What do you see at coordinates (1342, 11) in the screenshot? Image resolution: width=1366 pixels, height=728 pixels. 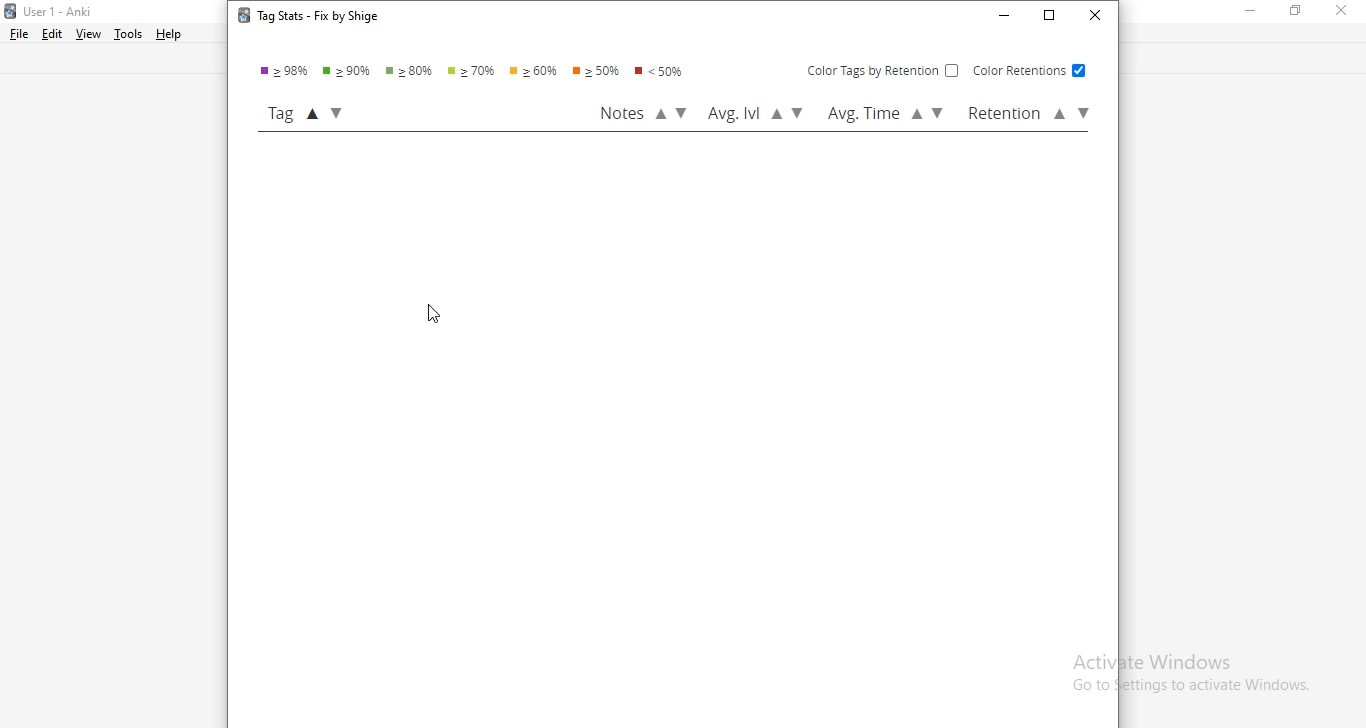 I see `close` at bounding box center [1342, 11].